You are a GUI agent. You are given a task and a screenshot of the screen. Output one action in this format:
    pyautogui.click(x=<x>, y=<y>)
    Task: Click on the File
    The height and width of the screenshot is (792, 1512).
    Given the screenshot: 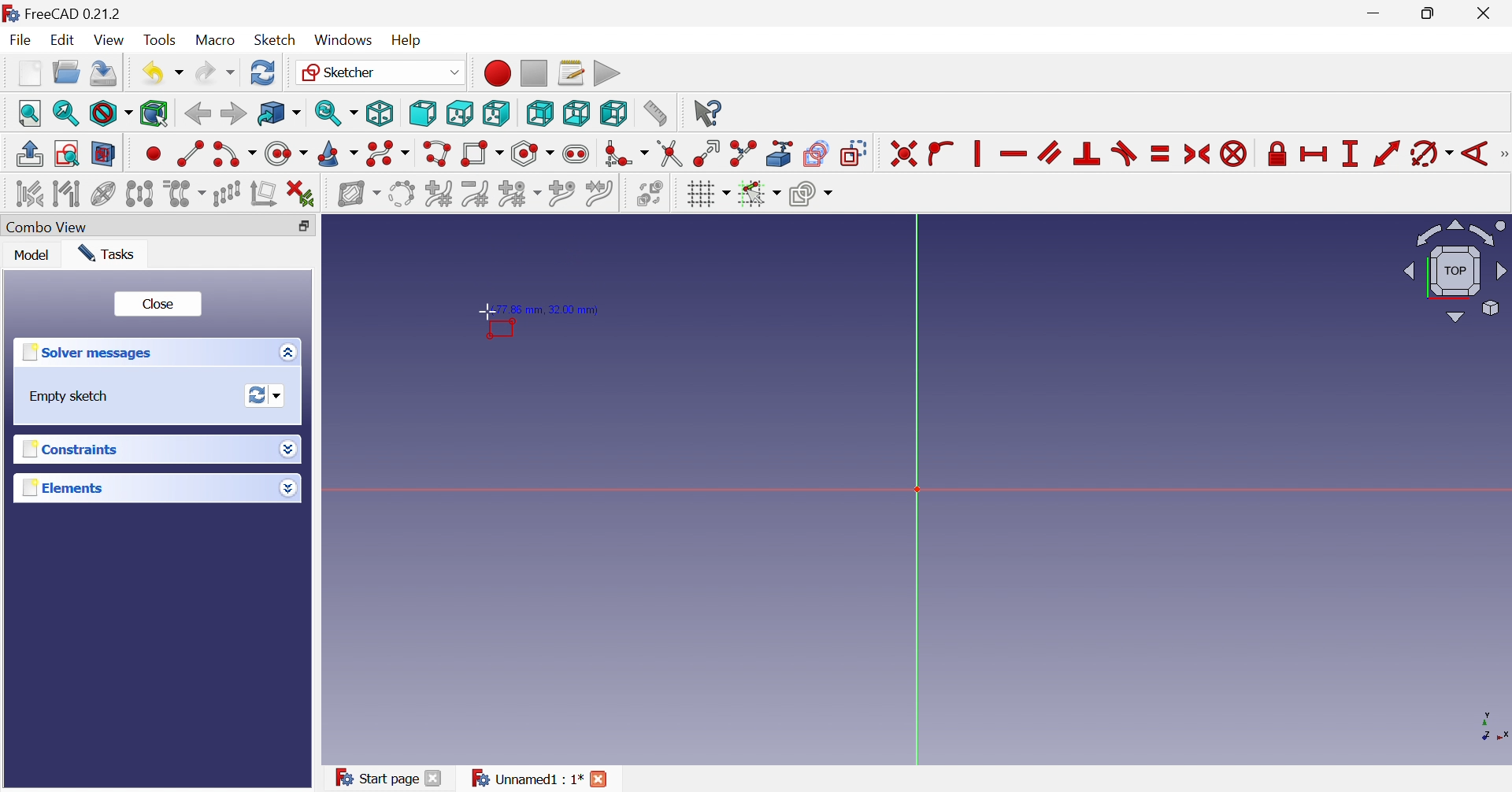 What is the action you would take?
    pyautogui.click(x=24, y=41)
    